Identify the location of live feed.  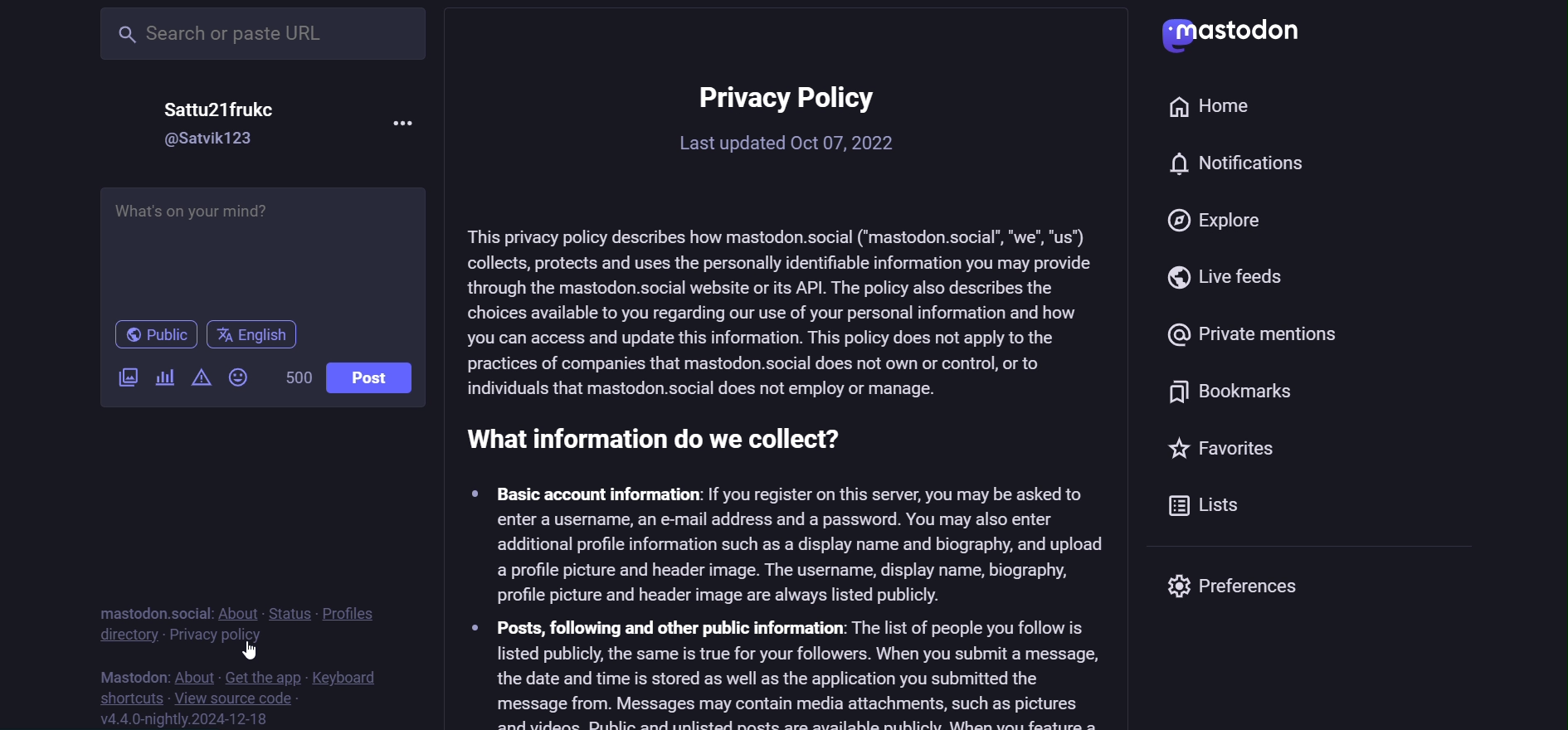
(1244, 271).